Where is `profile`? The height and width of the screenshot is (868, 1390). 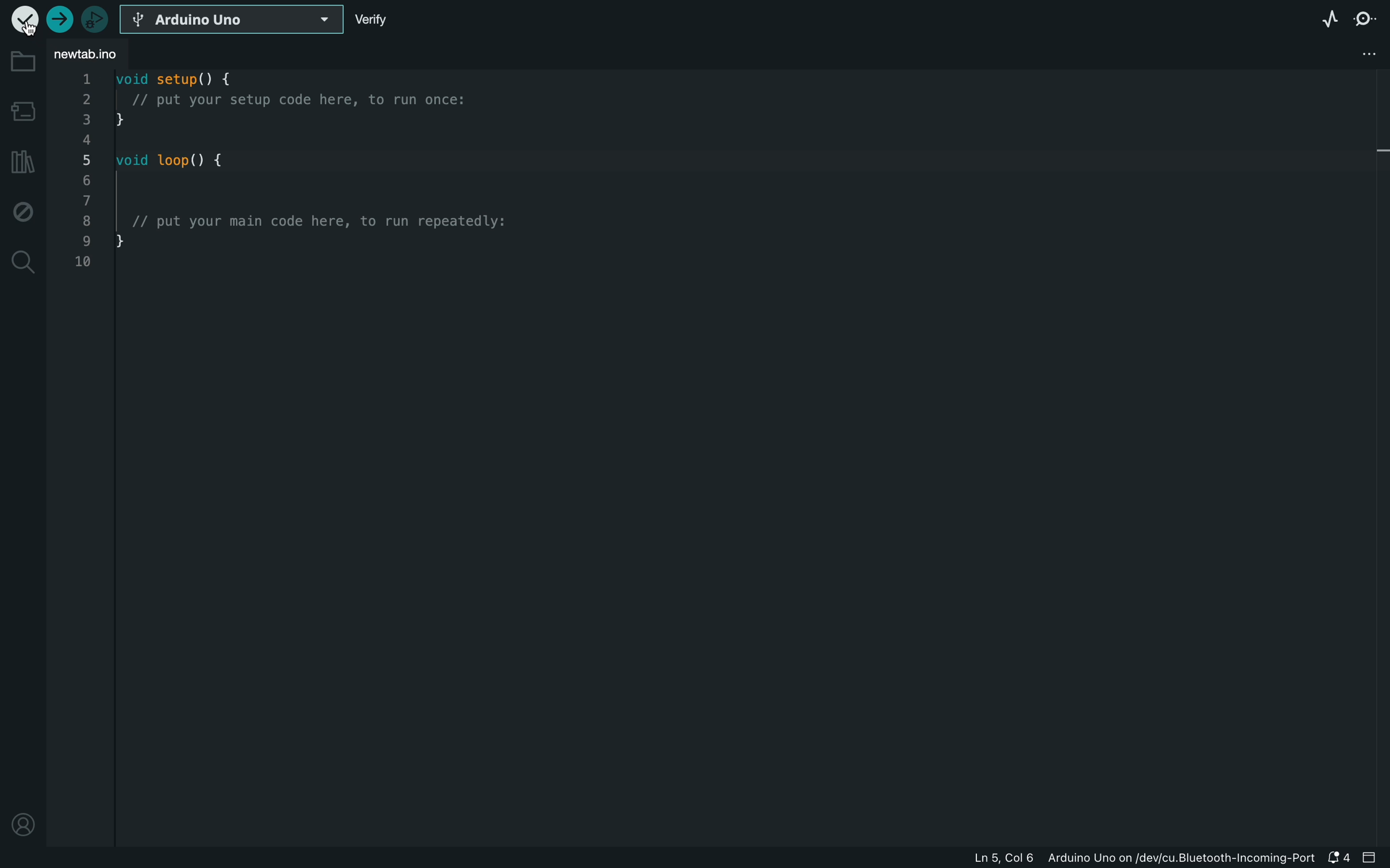
profile is located at coordinates (22, 823).